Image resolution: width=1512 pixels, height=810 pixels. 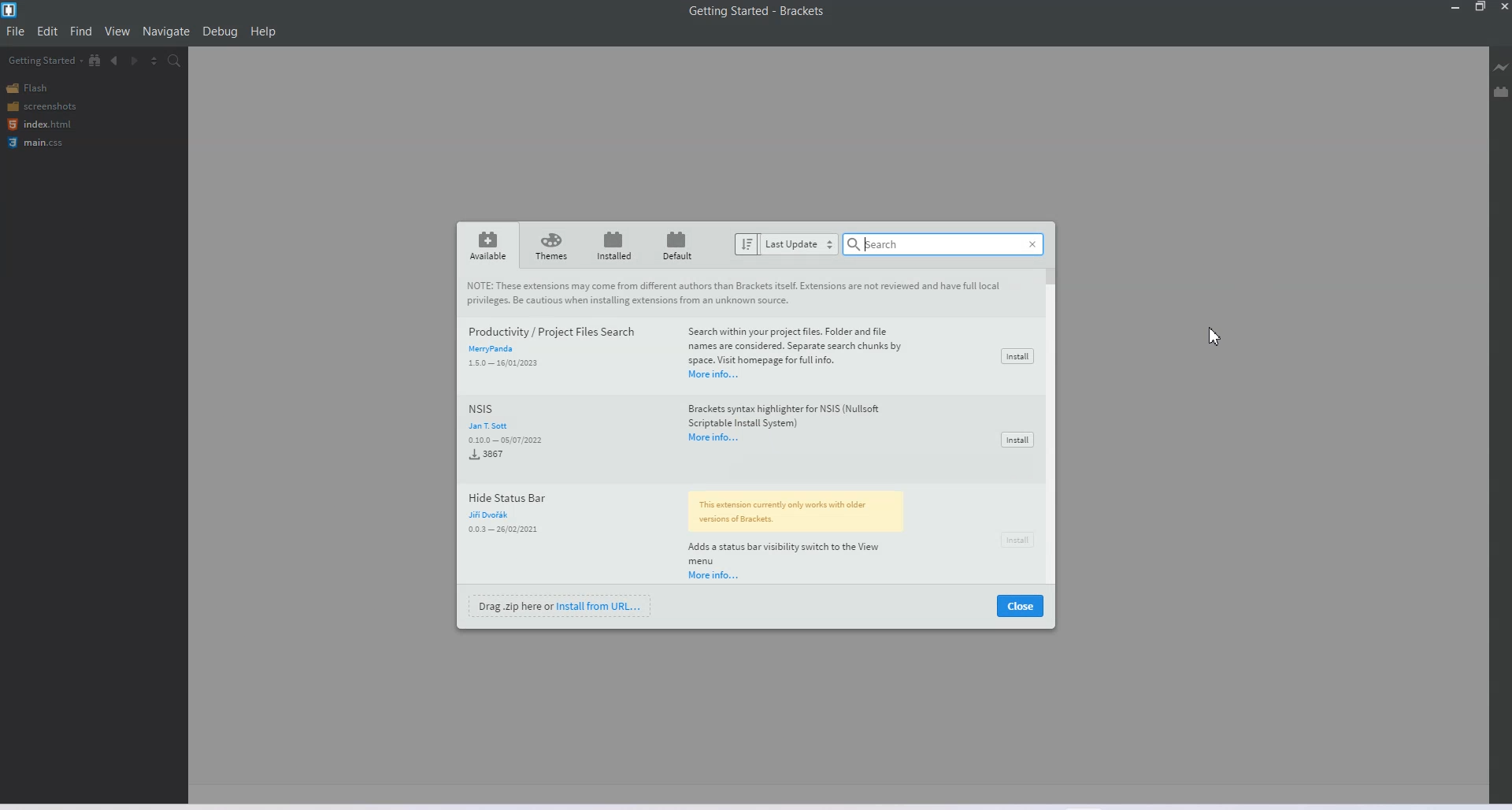 I want to click on Find, so click(x=82, y=30).